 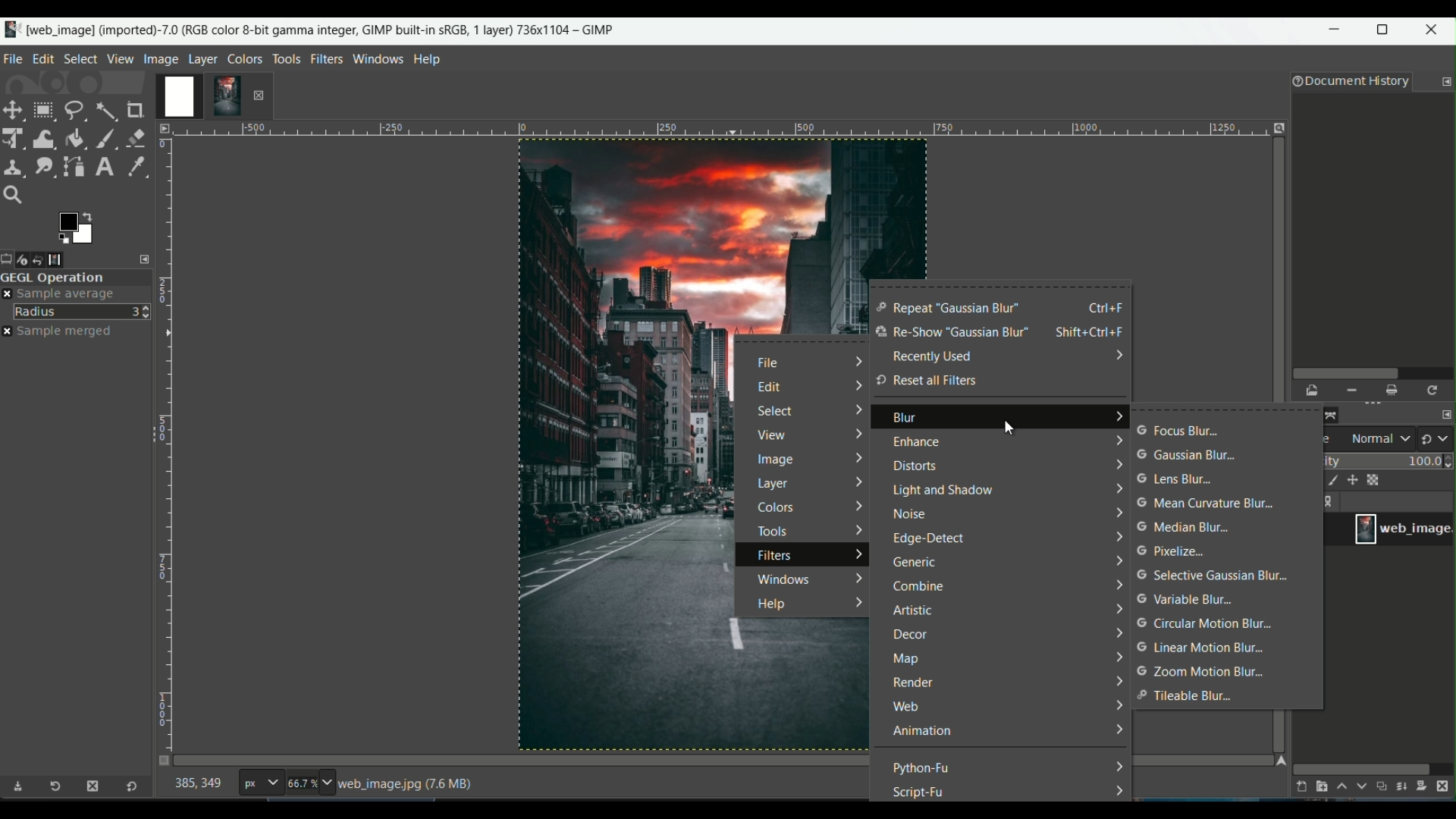 I want to click on restore to default values, so click(x=128, y=788).